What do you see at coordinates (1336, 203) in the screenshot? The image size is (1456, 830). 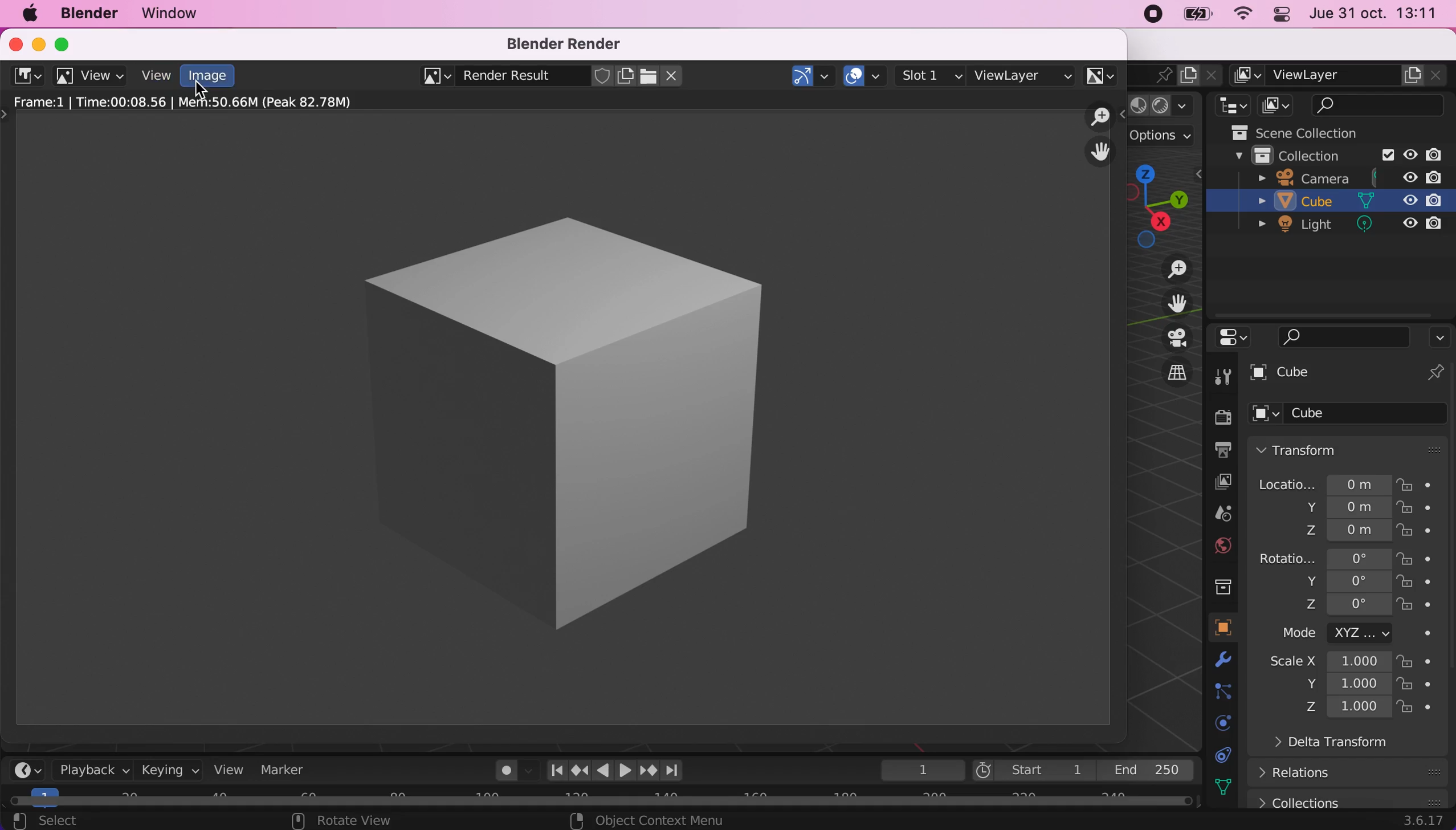 I see `cube` at bounding box center [1336, 203].